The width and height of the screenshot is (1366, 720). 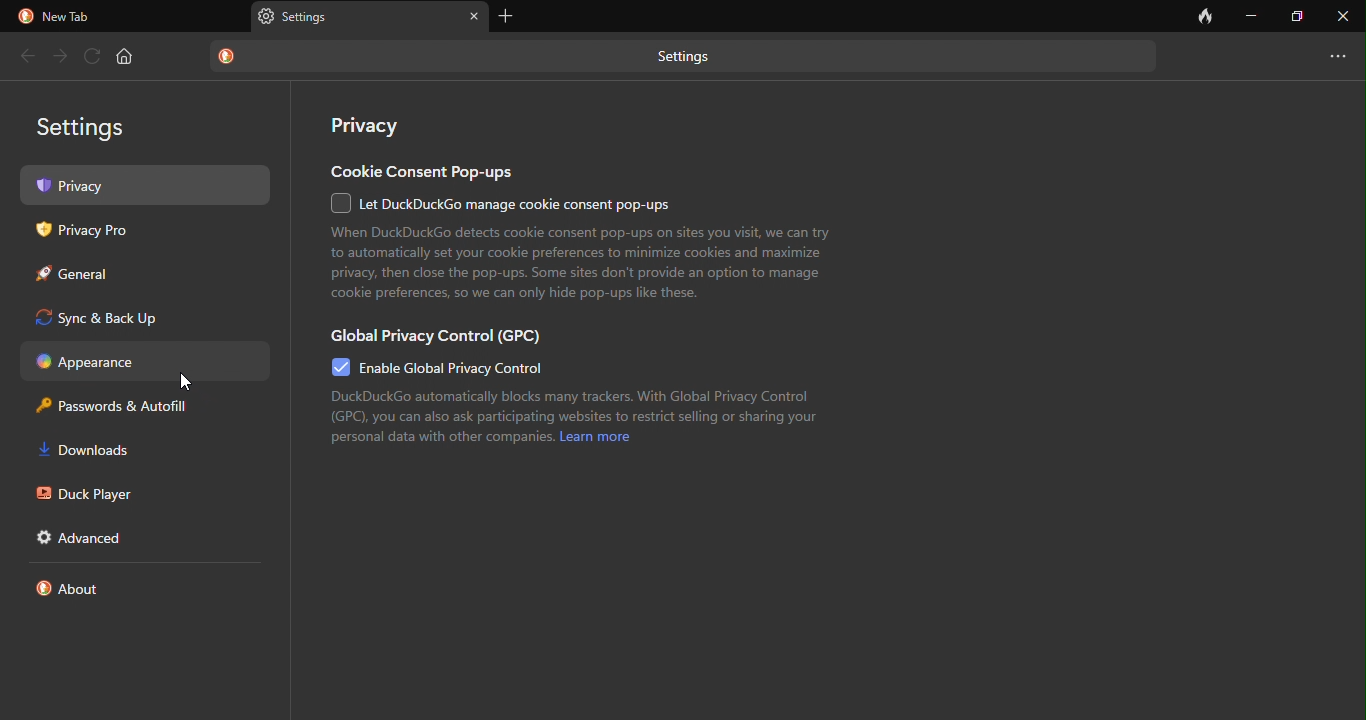 I want to click on add tab, so click(x=510, y=16).